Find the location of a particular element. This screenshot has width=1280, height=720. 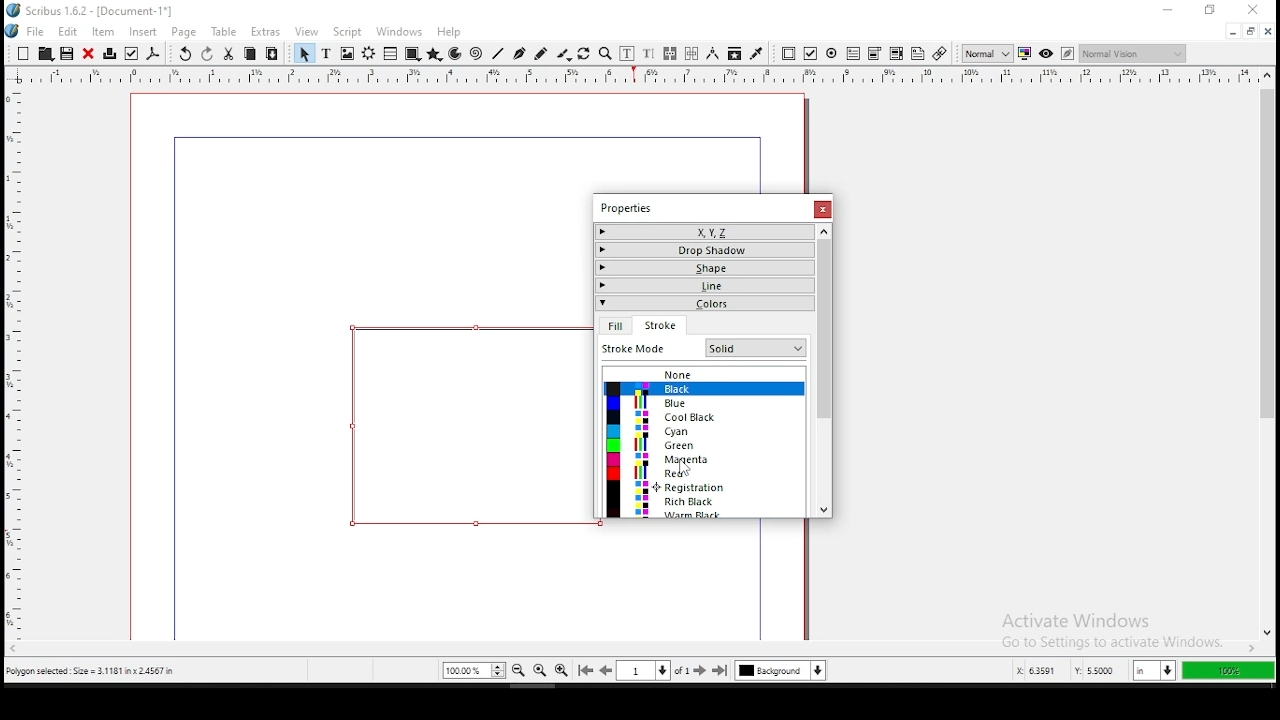

properties is located at coordinates (625, 208).